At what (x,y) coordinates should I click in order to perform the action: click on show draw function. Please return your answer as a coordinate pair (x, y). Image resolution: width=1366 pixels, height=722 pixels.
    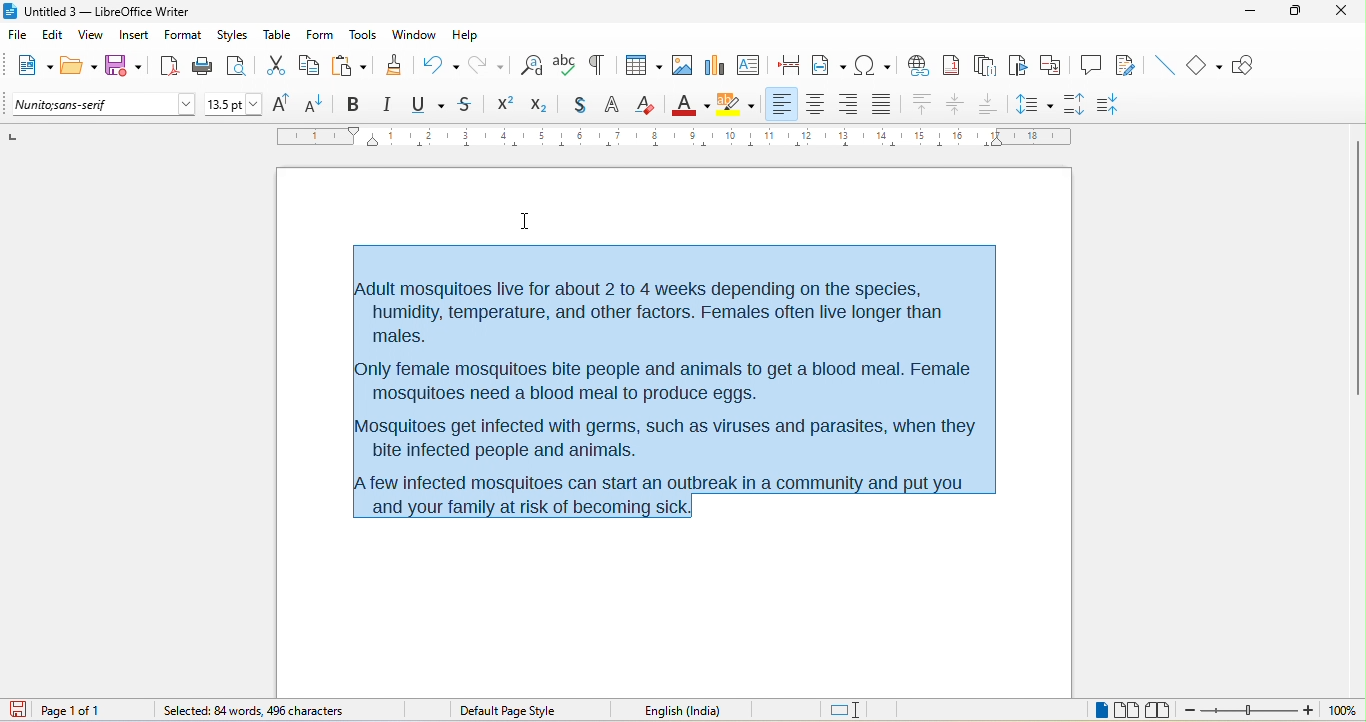
    Looking at the image, I should click on (1250, 65).